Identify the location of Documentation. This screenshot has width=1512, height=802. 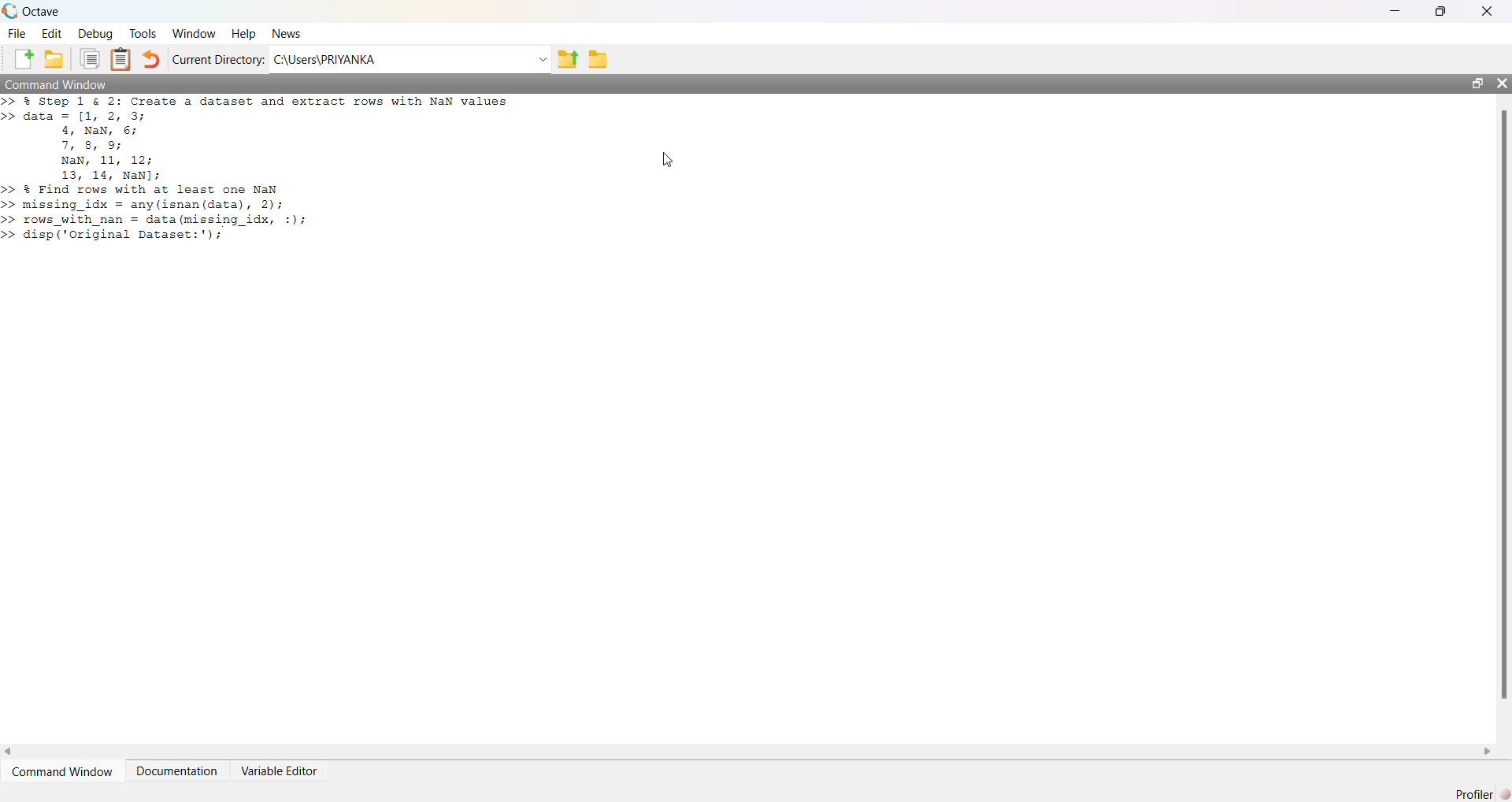
(176, 771).